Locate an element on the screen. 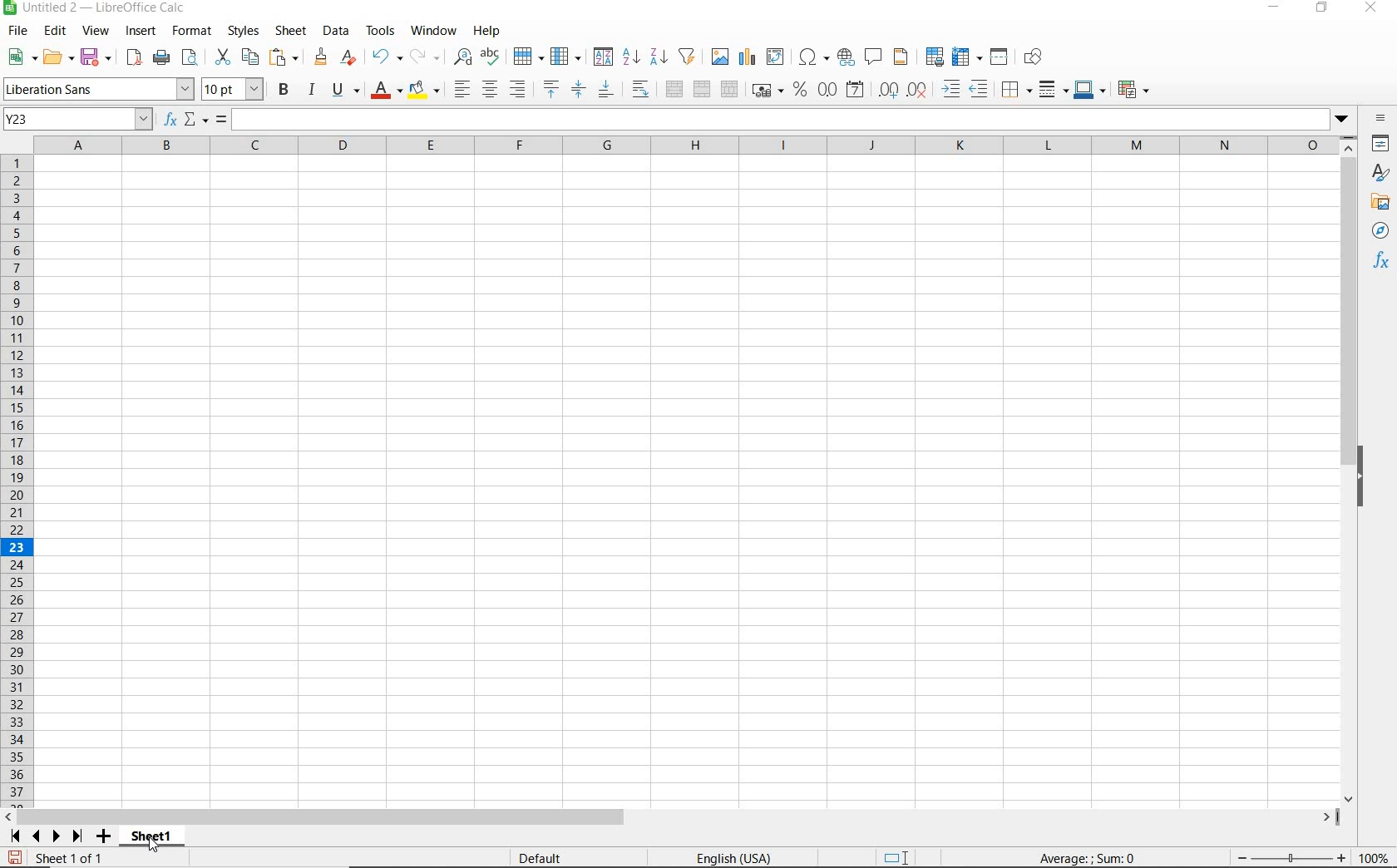 This screenshot has height=868, width=1397. REDO is located at coordinates (423, 55).